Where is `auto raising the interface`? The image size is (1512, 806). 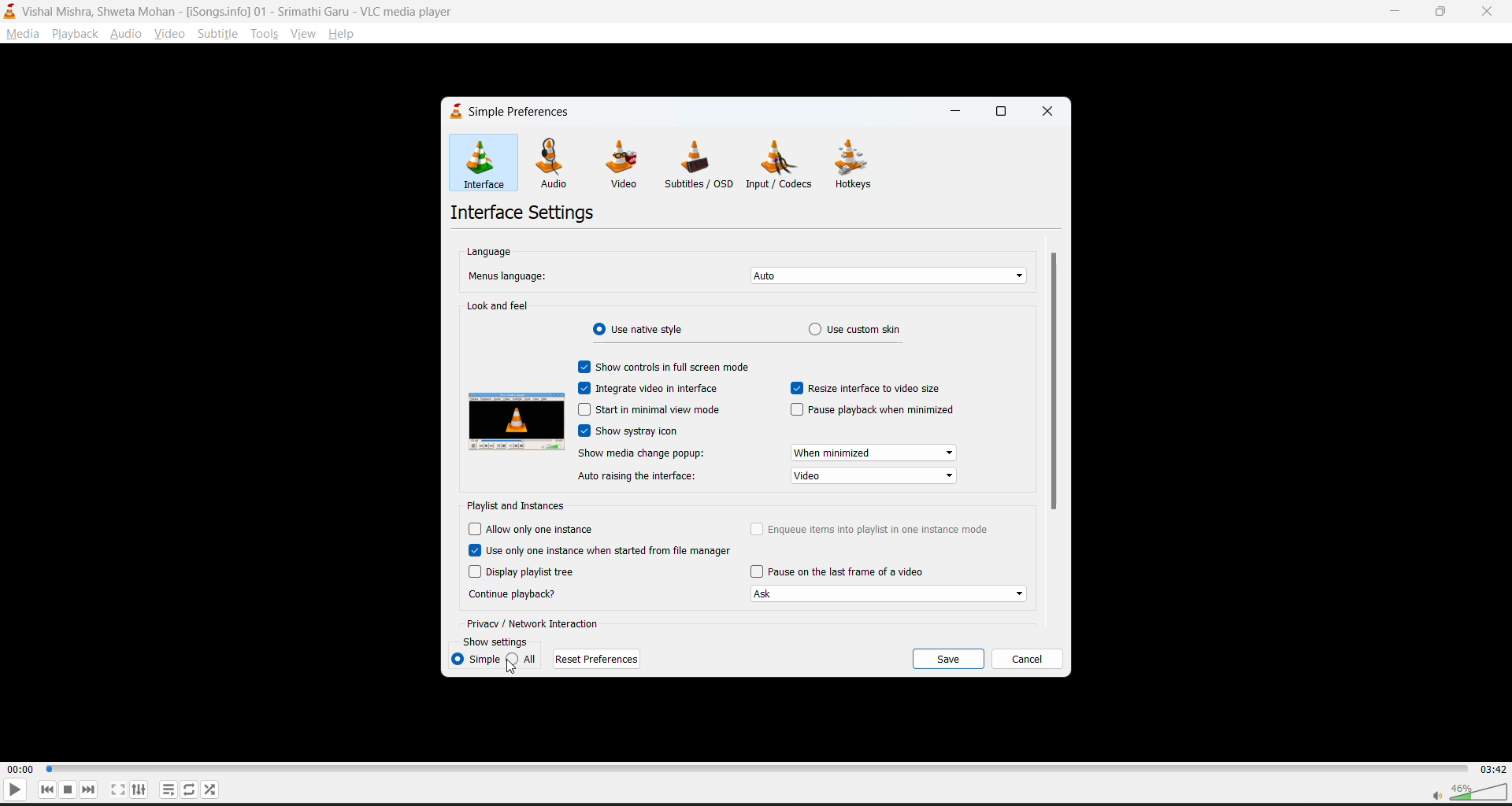
auto raising the interface is located at coordinates (638, 475).